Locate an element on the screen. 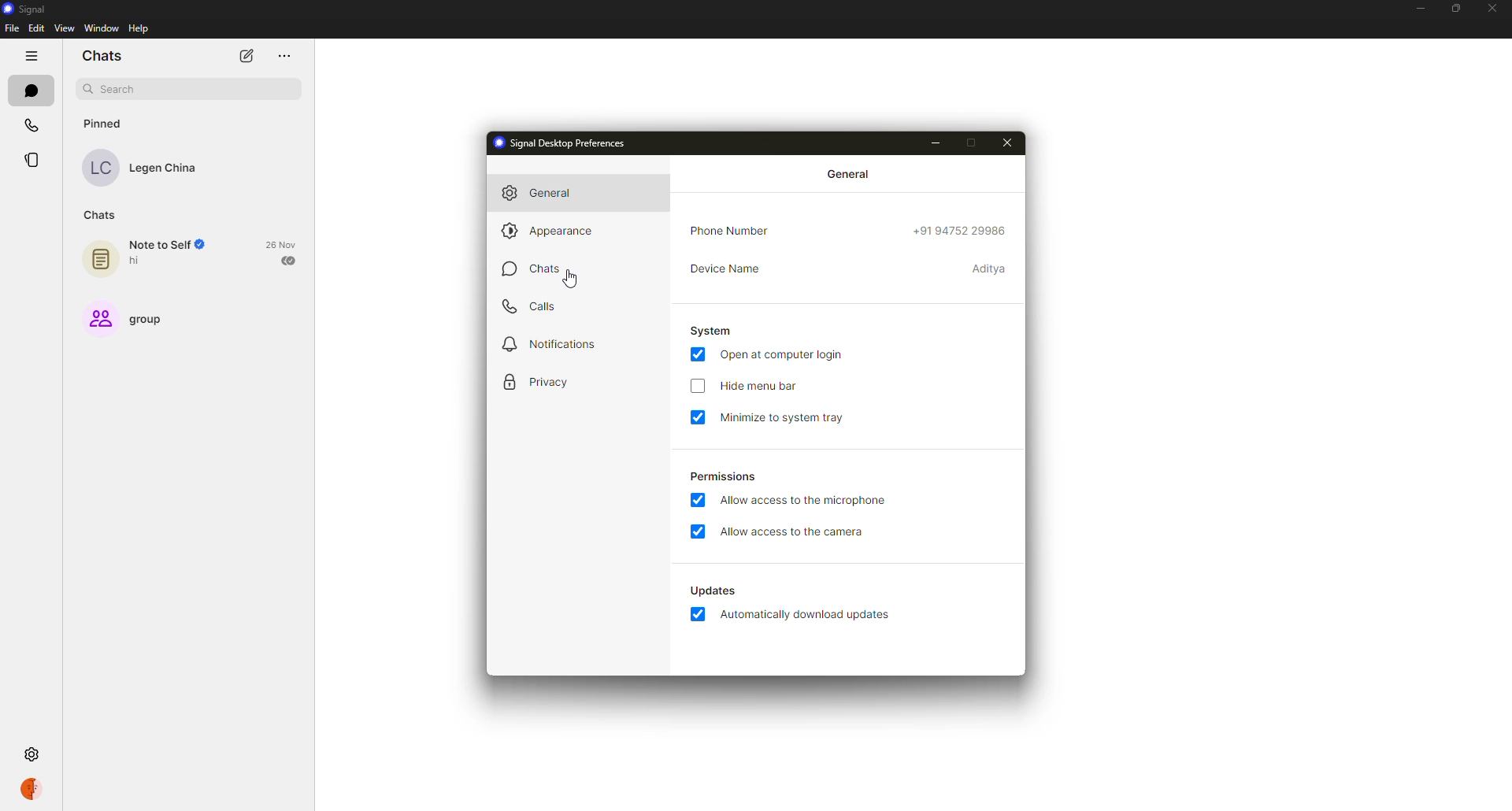  file is located at coordinates (12, 28).